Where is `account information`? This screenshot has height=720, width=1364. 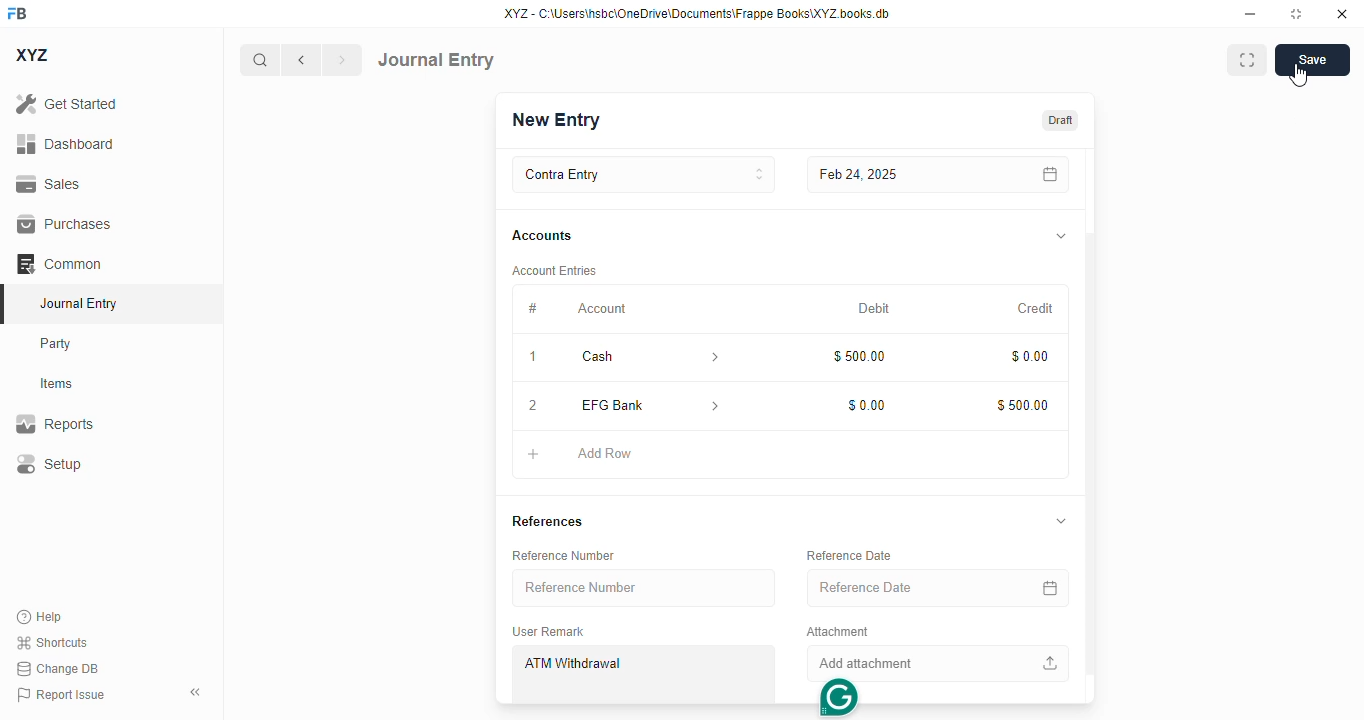 account information is located at coordinates (714, 405).